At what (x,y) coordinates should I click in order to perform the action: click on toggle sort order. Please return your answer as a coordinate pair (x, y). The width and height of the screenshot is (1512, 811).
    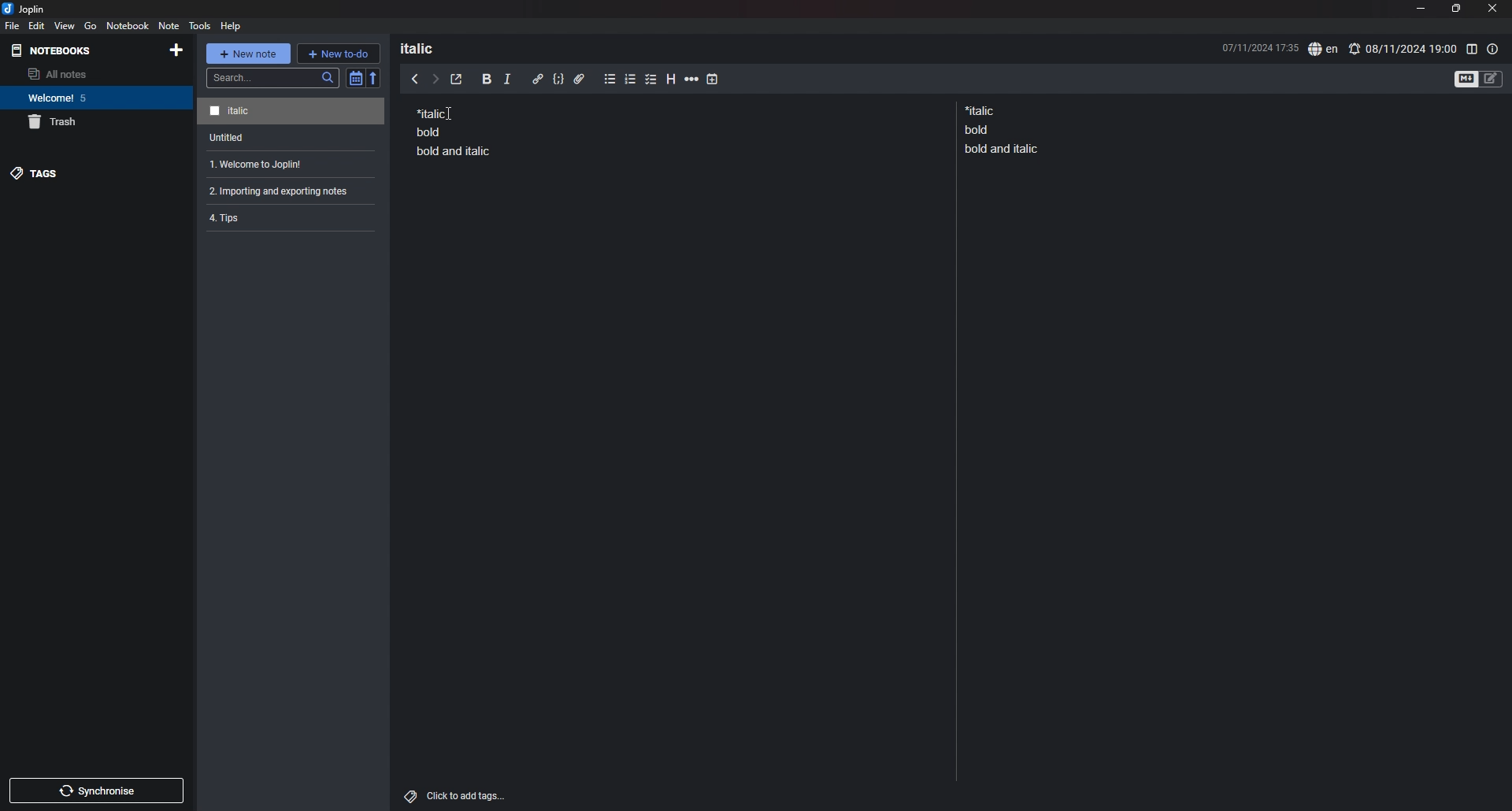
    Looking at the image, I should click on (355, 78).